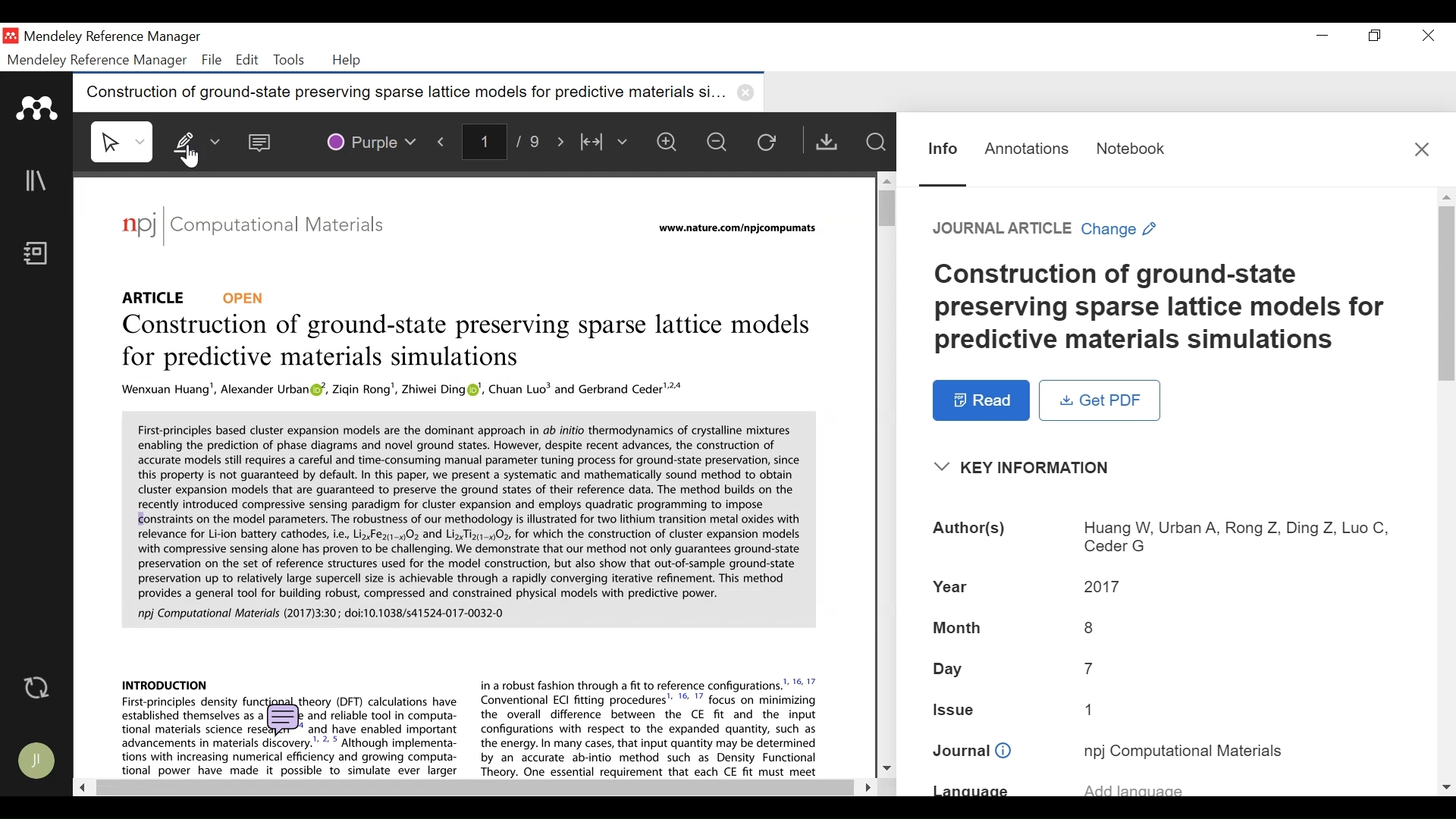  I want to click on Color, so click(370, 140).